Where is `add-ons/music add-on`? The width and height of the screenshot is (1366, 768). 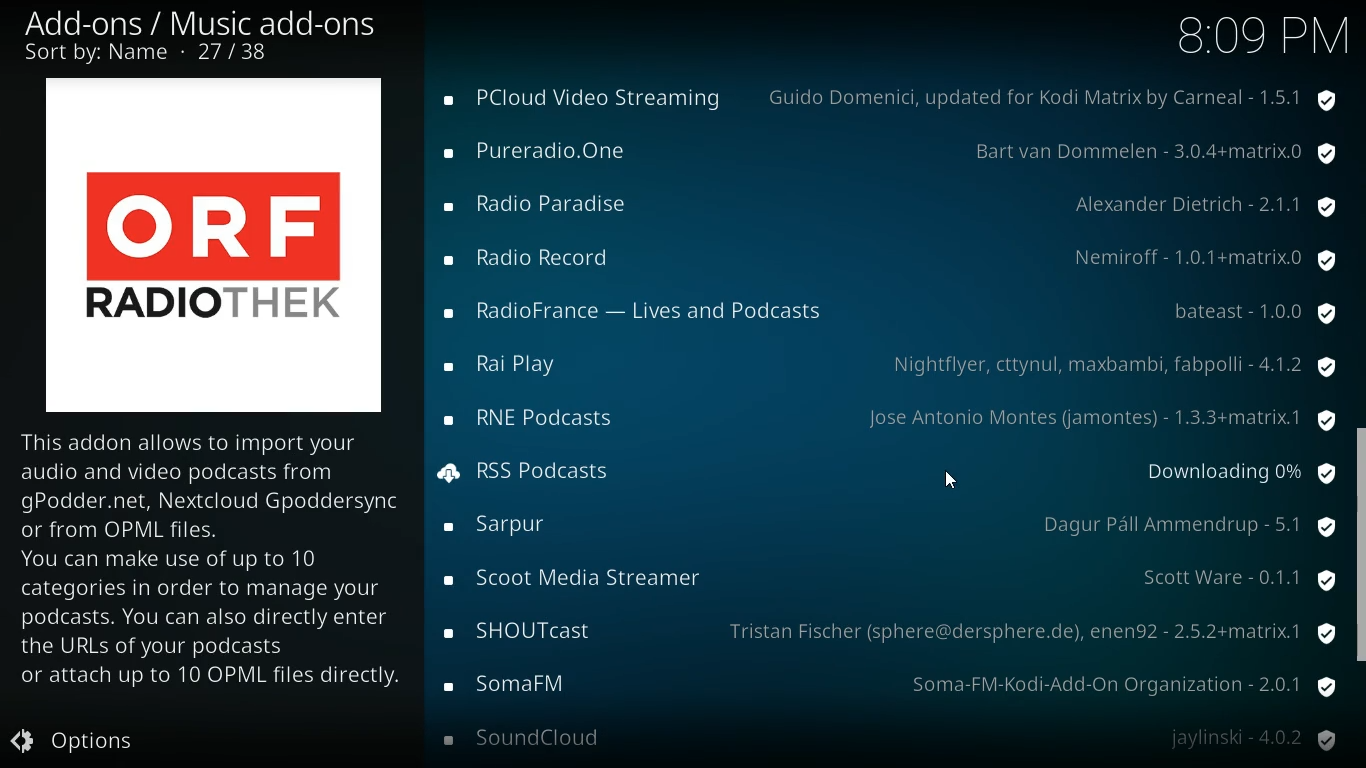 add-ons/music add-on is located at coordinates (208, 24).